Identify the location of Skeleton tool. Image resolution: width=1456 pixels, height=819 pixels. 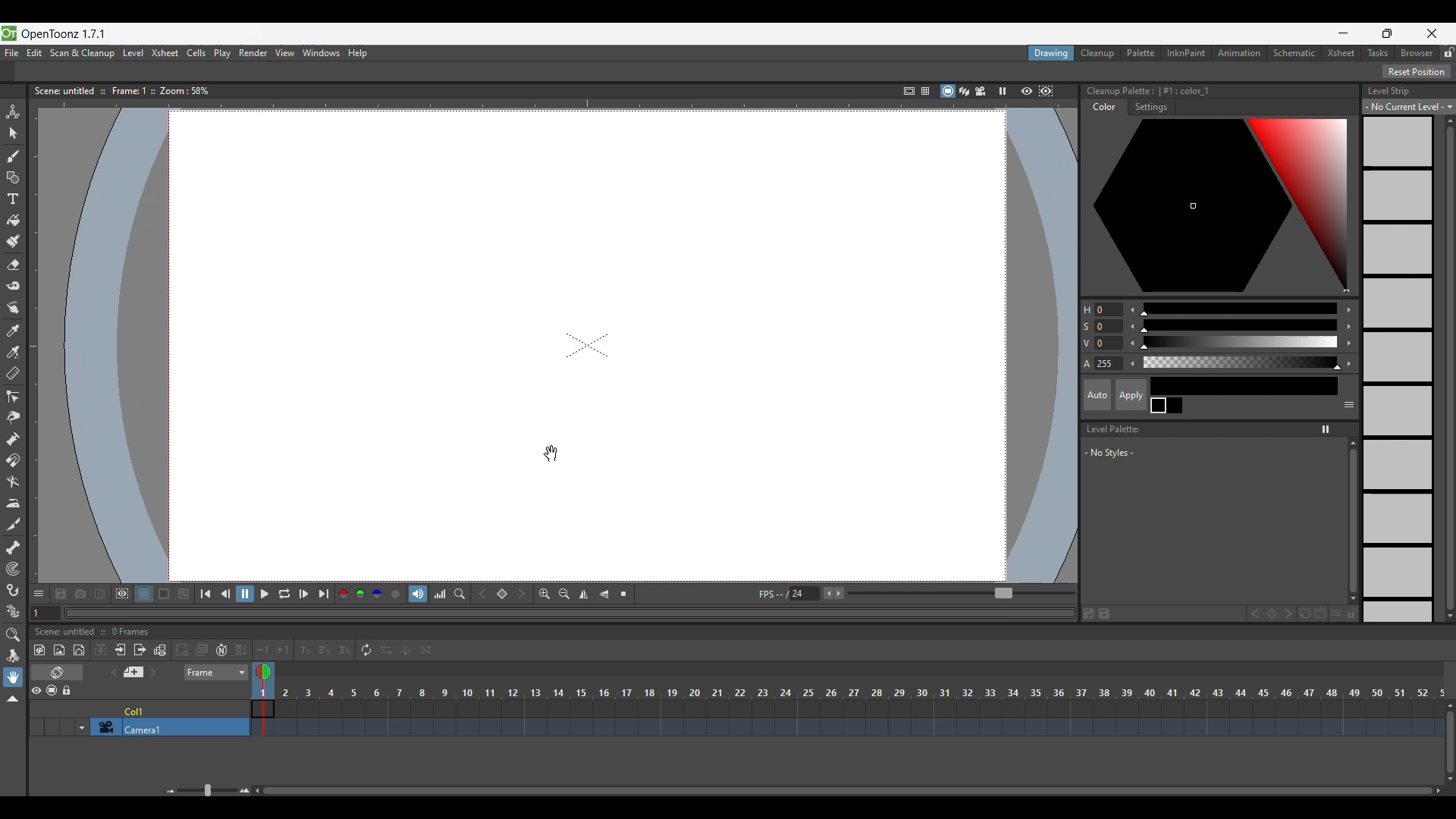
(12, 548).